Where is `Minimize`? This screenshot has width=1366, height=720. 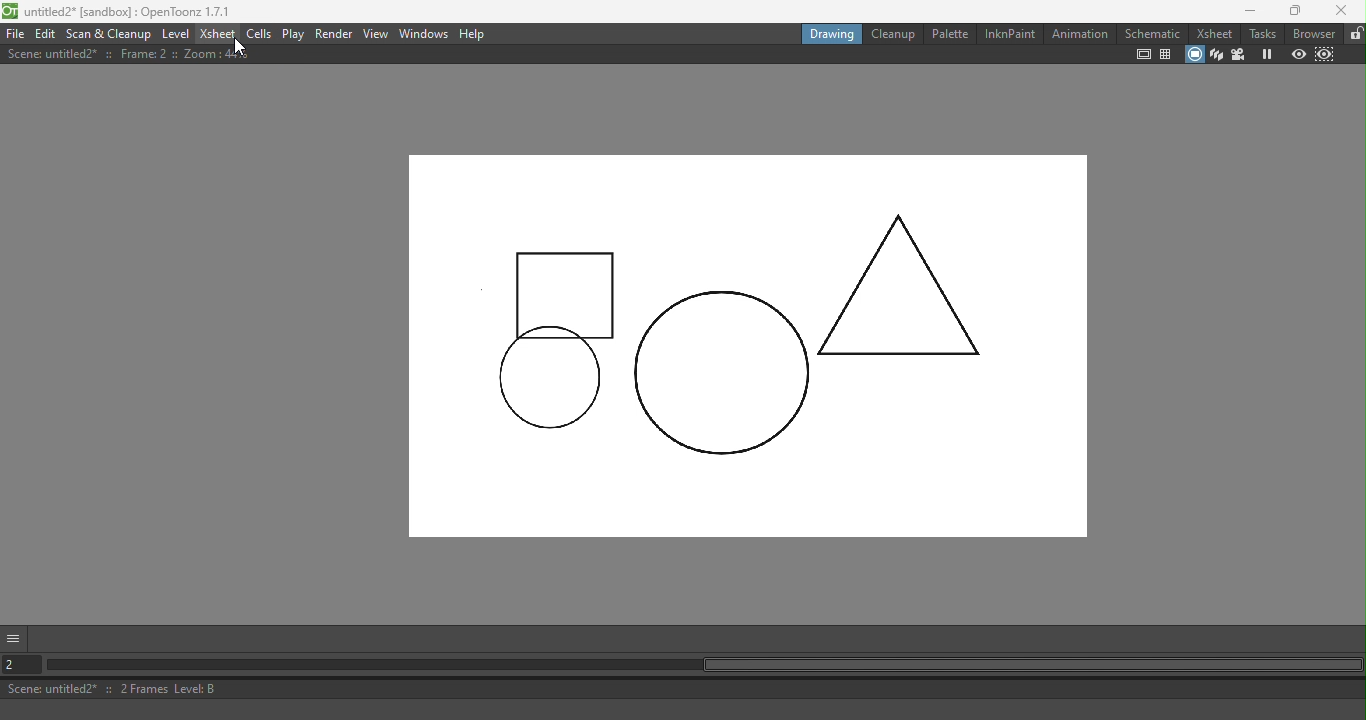
Minimize is located at coordinates (1243, 11).